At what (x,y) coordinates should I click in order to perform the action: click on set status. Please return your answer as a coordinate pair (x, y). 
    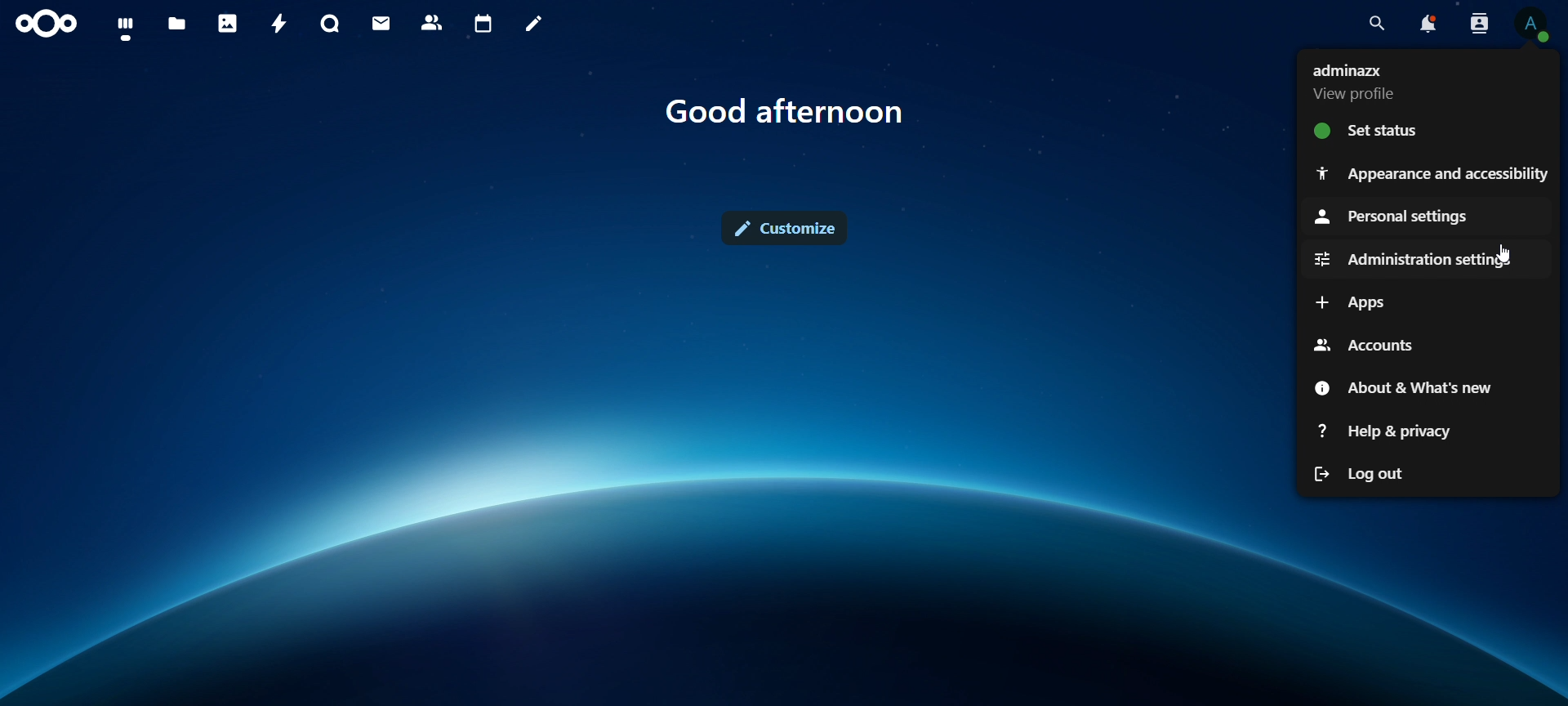
    Looking at the image, I should click on (1371, 132).